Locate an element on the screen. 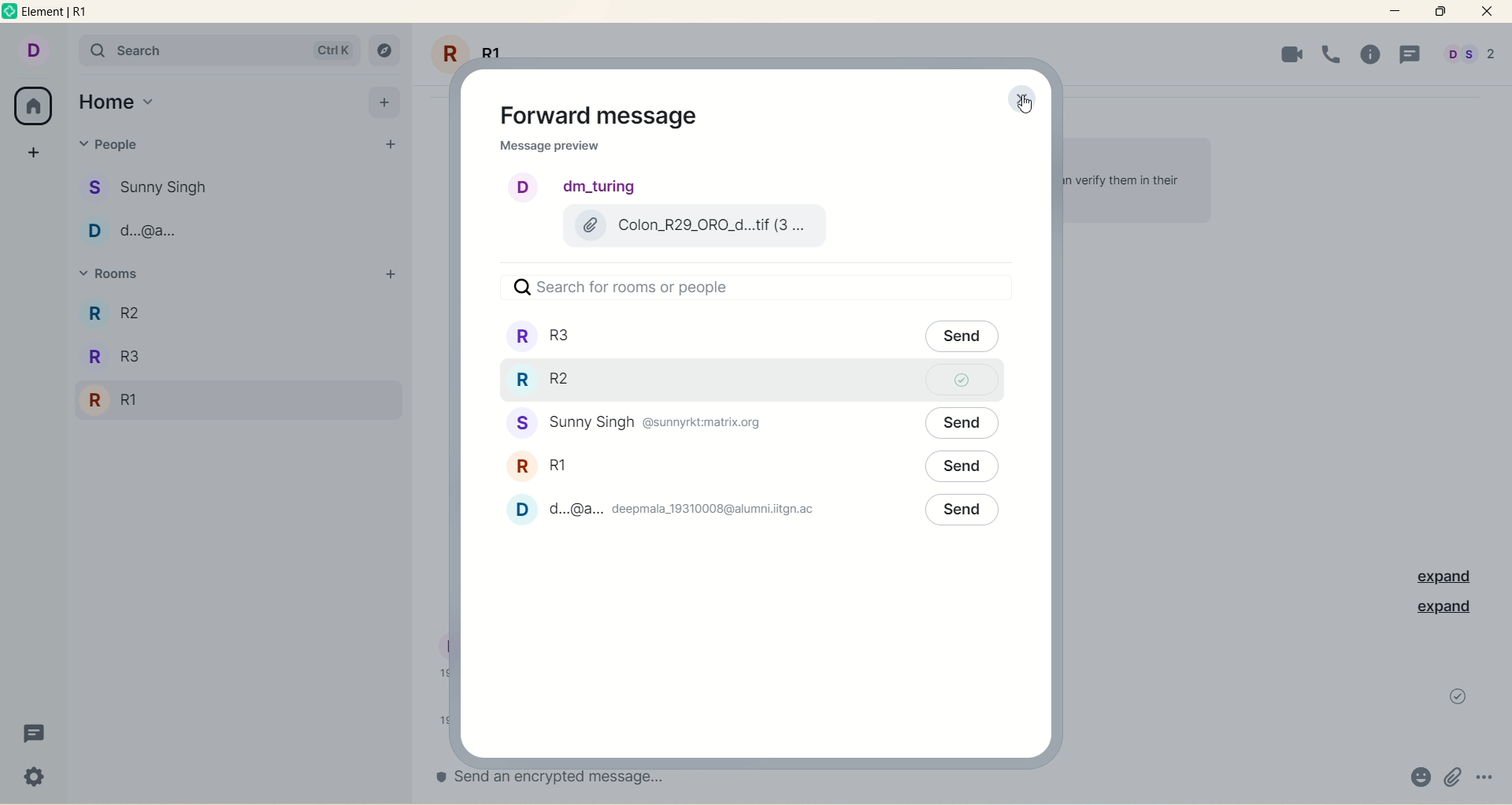 This screenshot has height=805, width=1512. add is located at coordinates (390, 274).